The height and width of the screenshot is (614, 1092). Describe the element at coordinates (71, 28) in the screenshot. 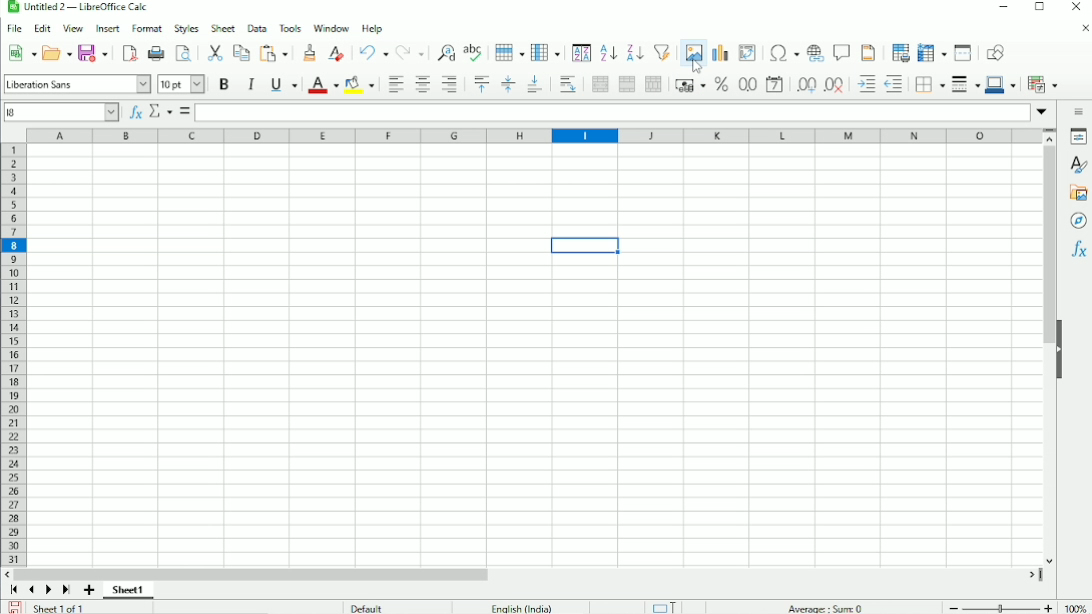

I see `View` at that location.